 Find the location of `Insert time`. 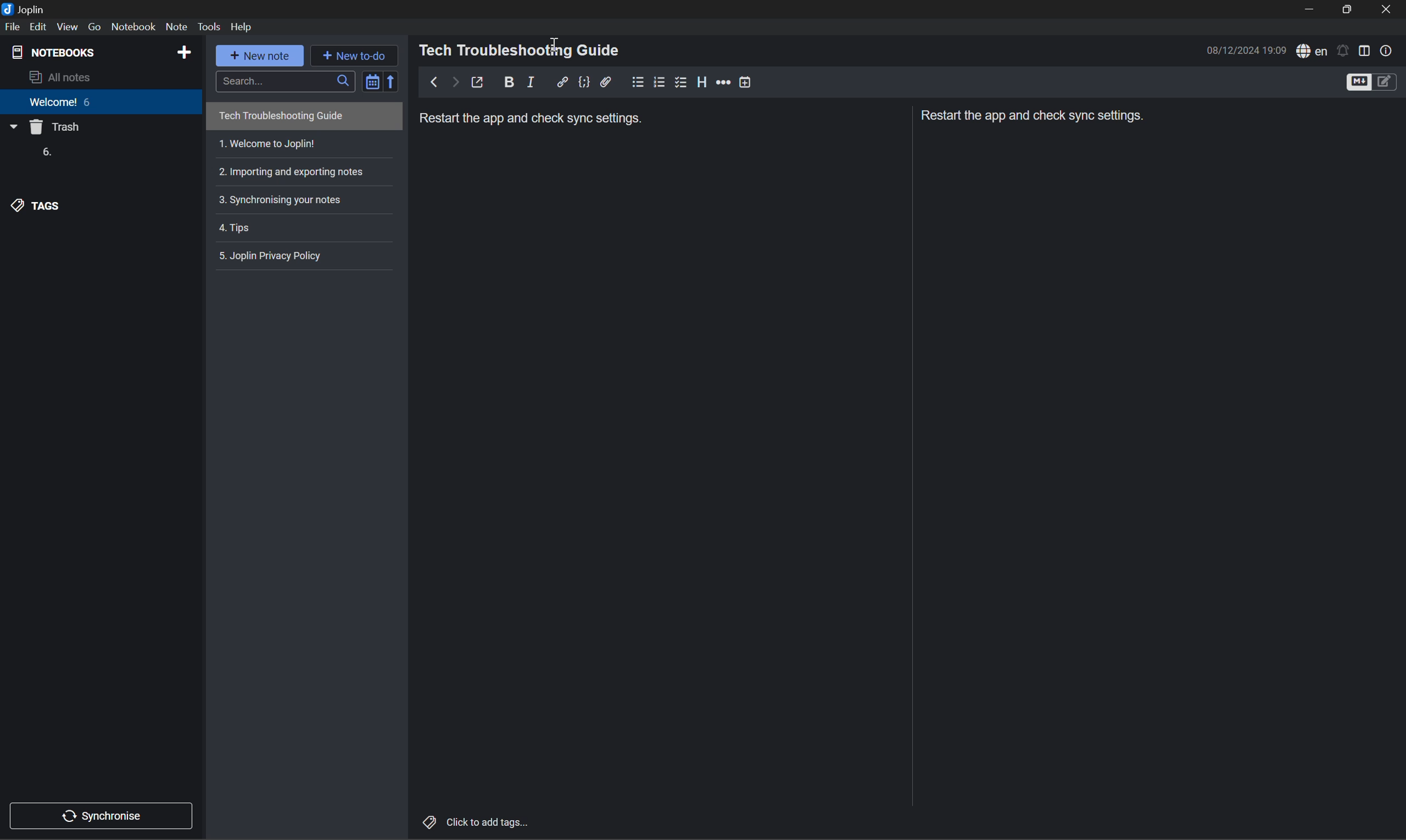

Insert time is located at coordinates (743, 82).